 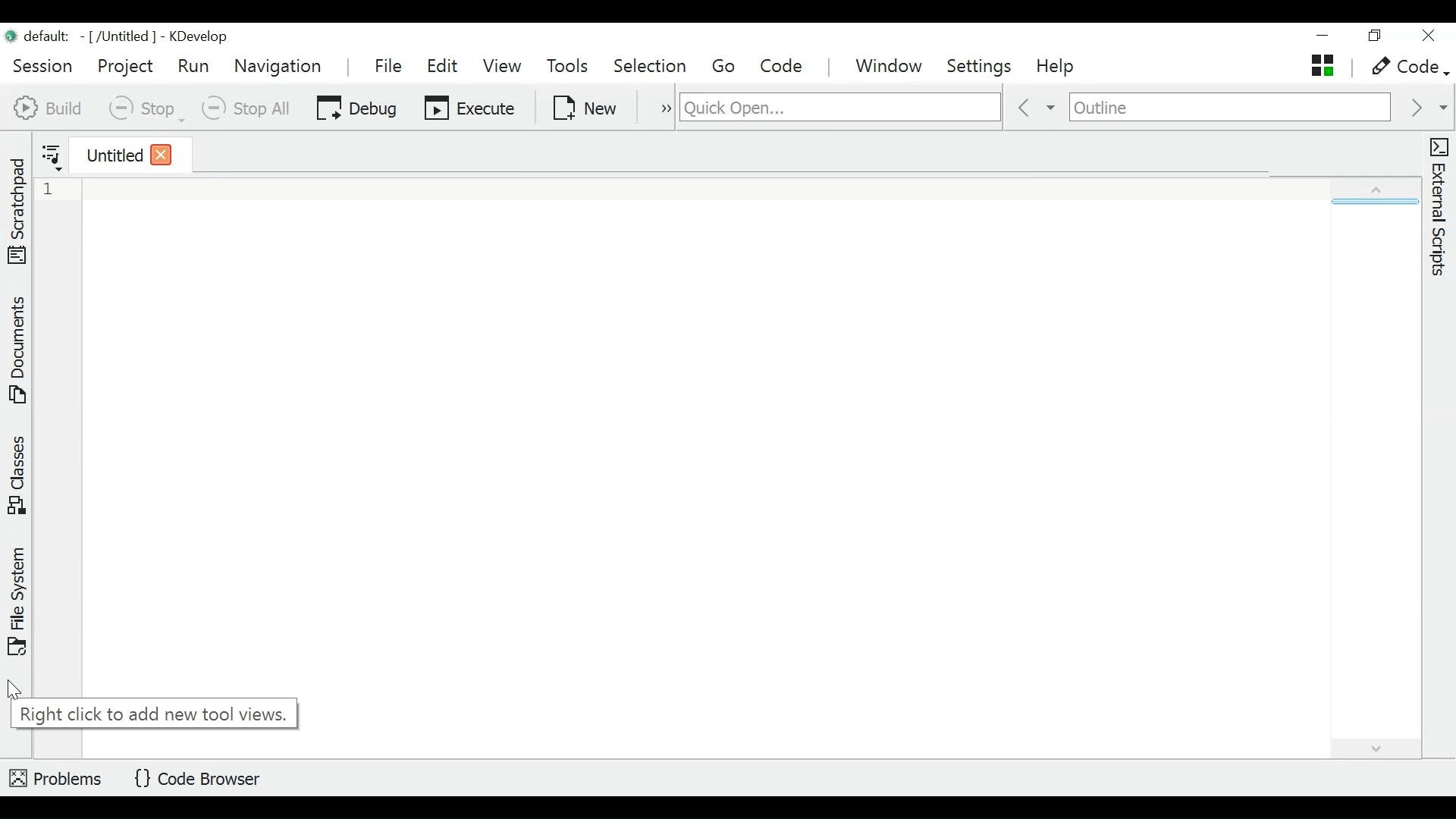 I want to click on Show sorted list of opened documents, so click(x=52, y=156).